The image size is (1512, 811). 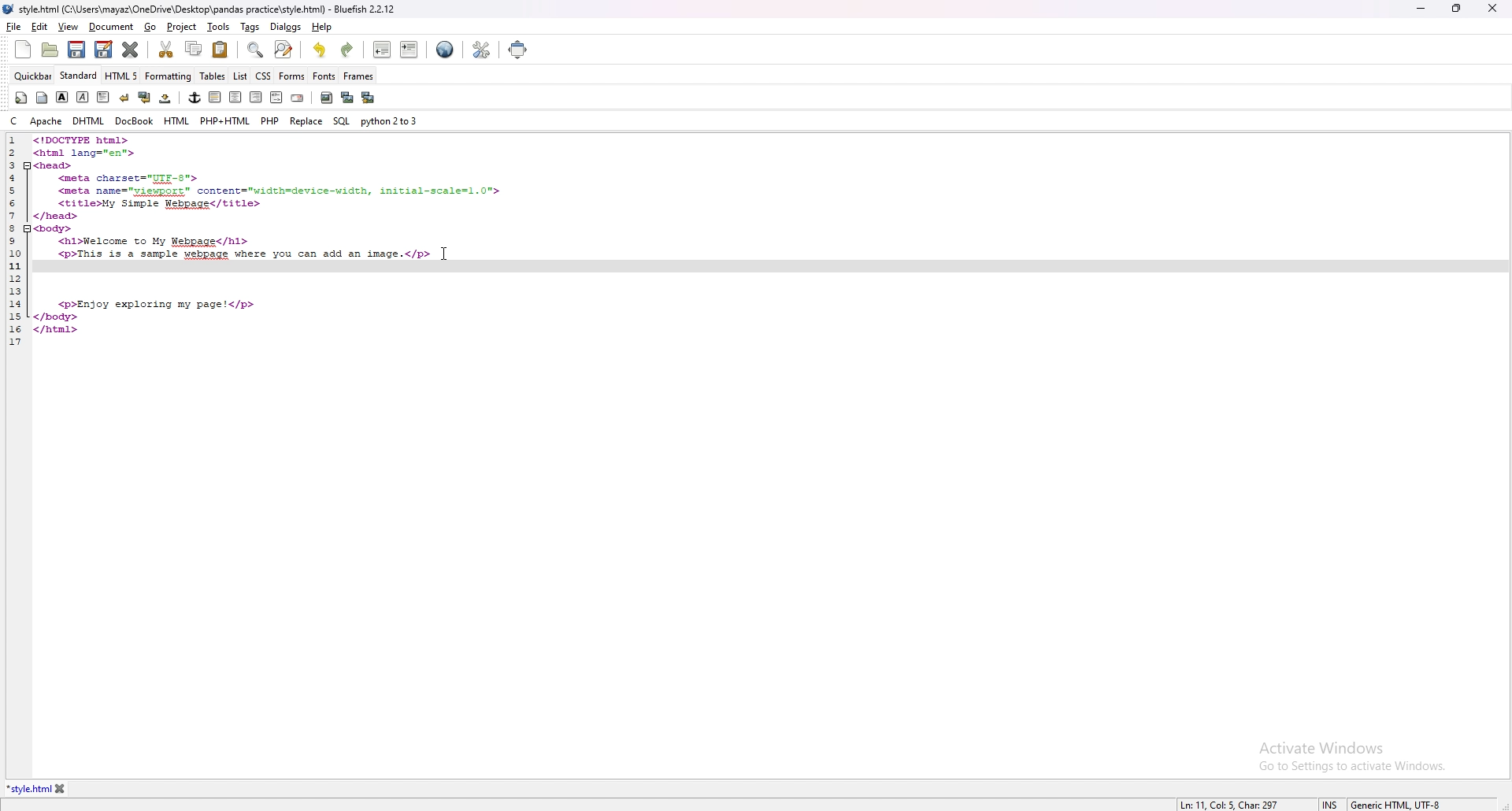 I want to click on non breaking space, so click(x=165, y=98).